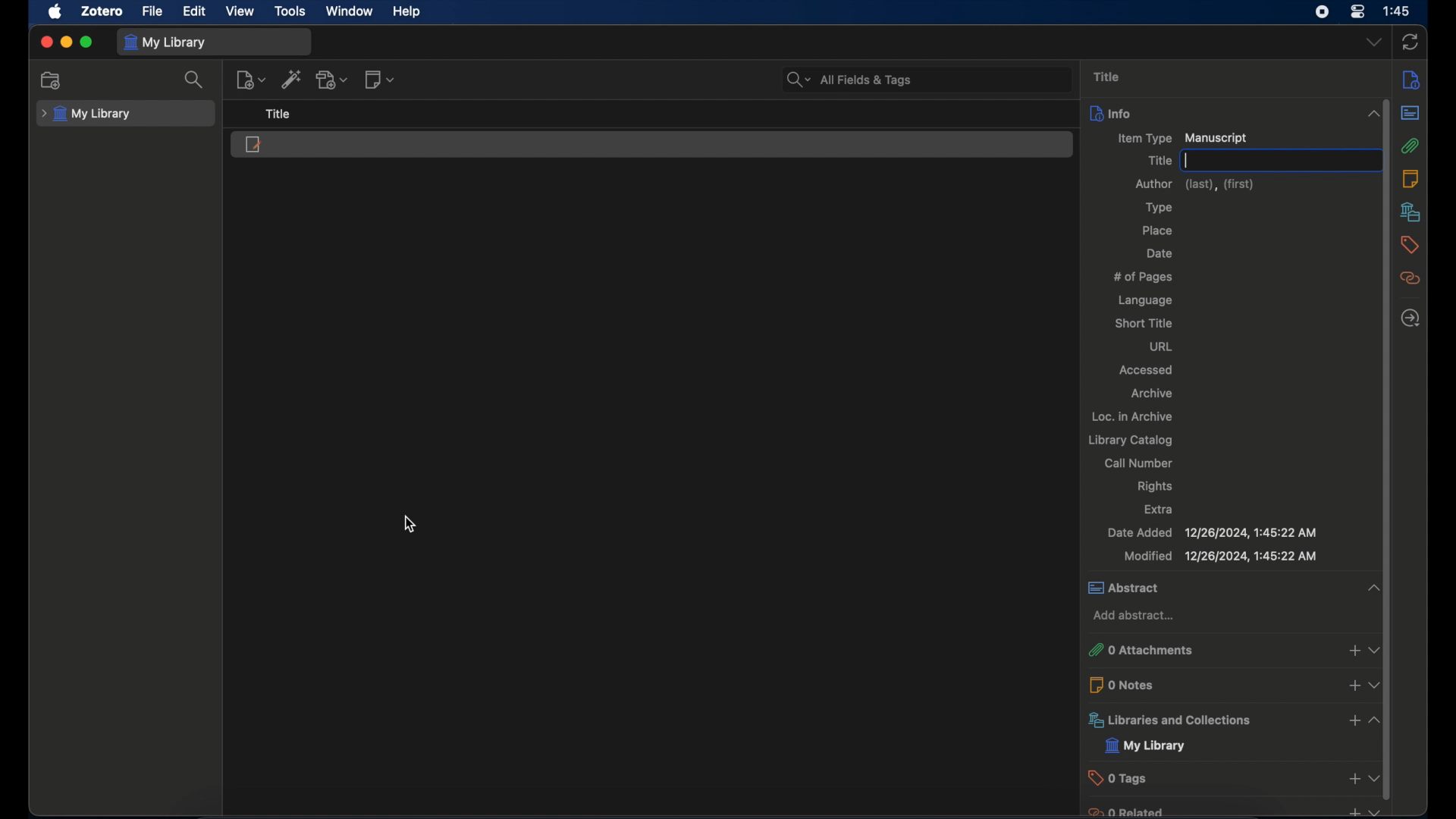  I want to click on loc. in archive, so click(1133, 416).